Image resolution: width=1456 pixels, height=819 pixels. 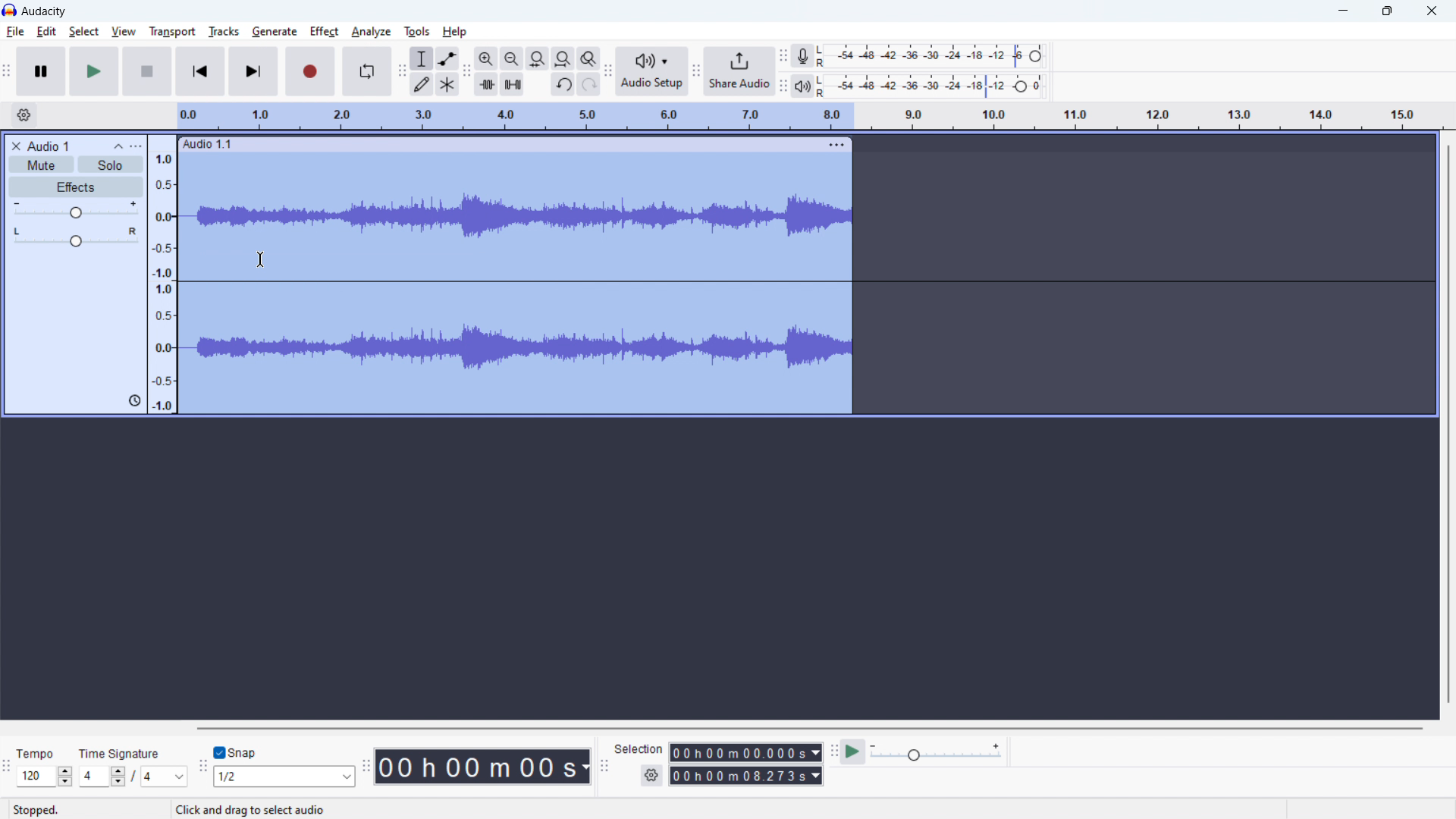 I want to click on trim audio outside selection, so click(x=486, y=85).